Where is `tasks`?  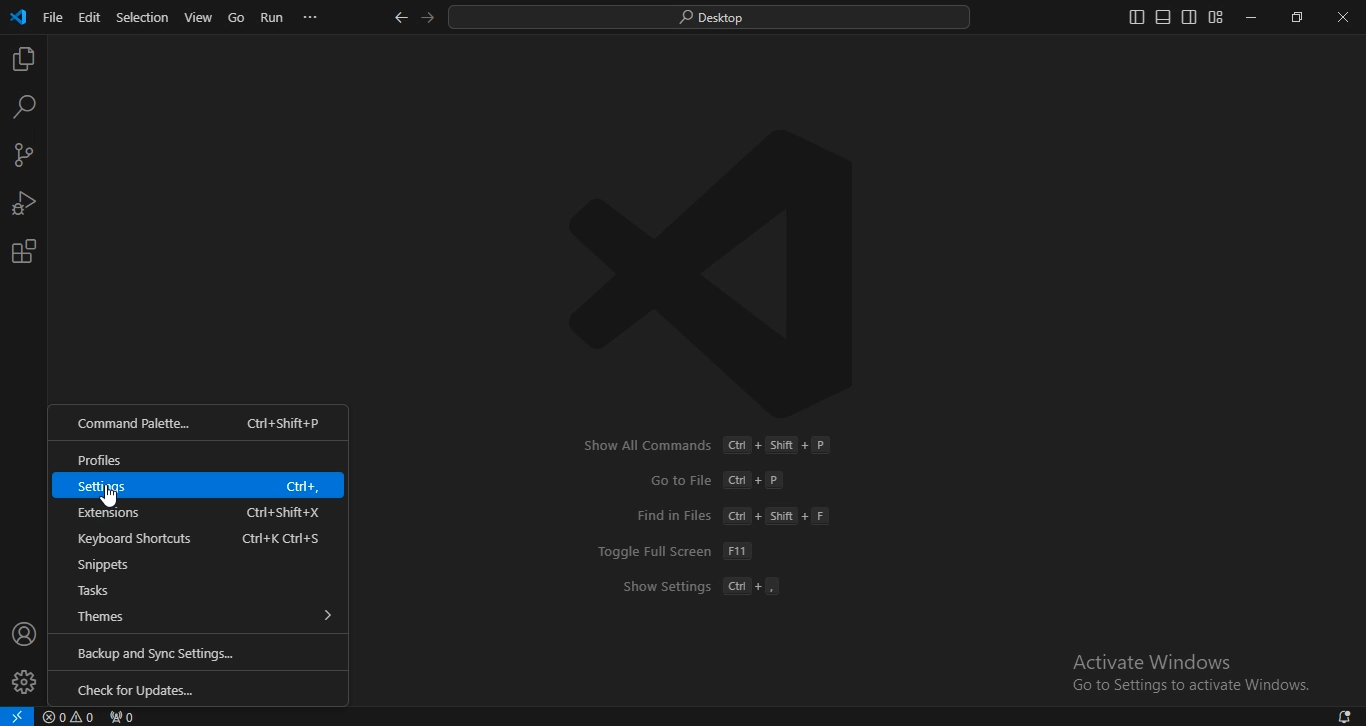
tasks is located at coordinates (199, 591).